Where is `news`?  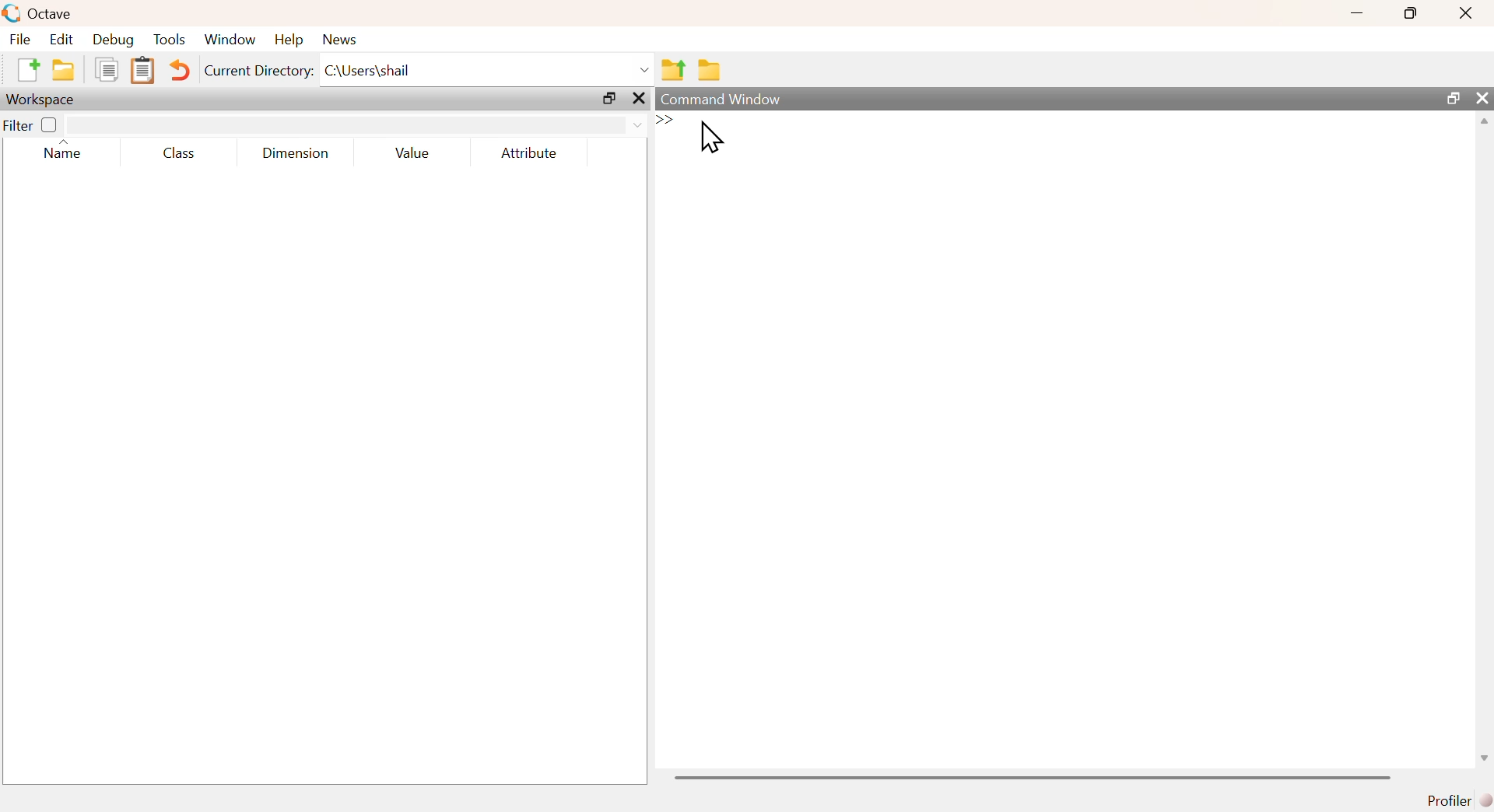
news is located at coordinates (347, 39).